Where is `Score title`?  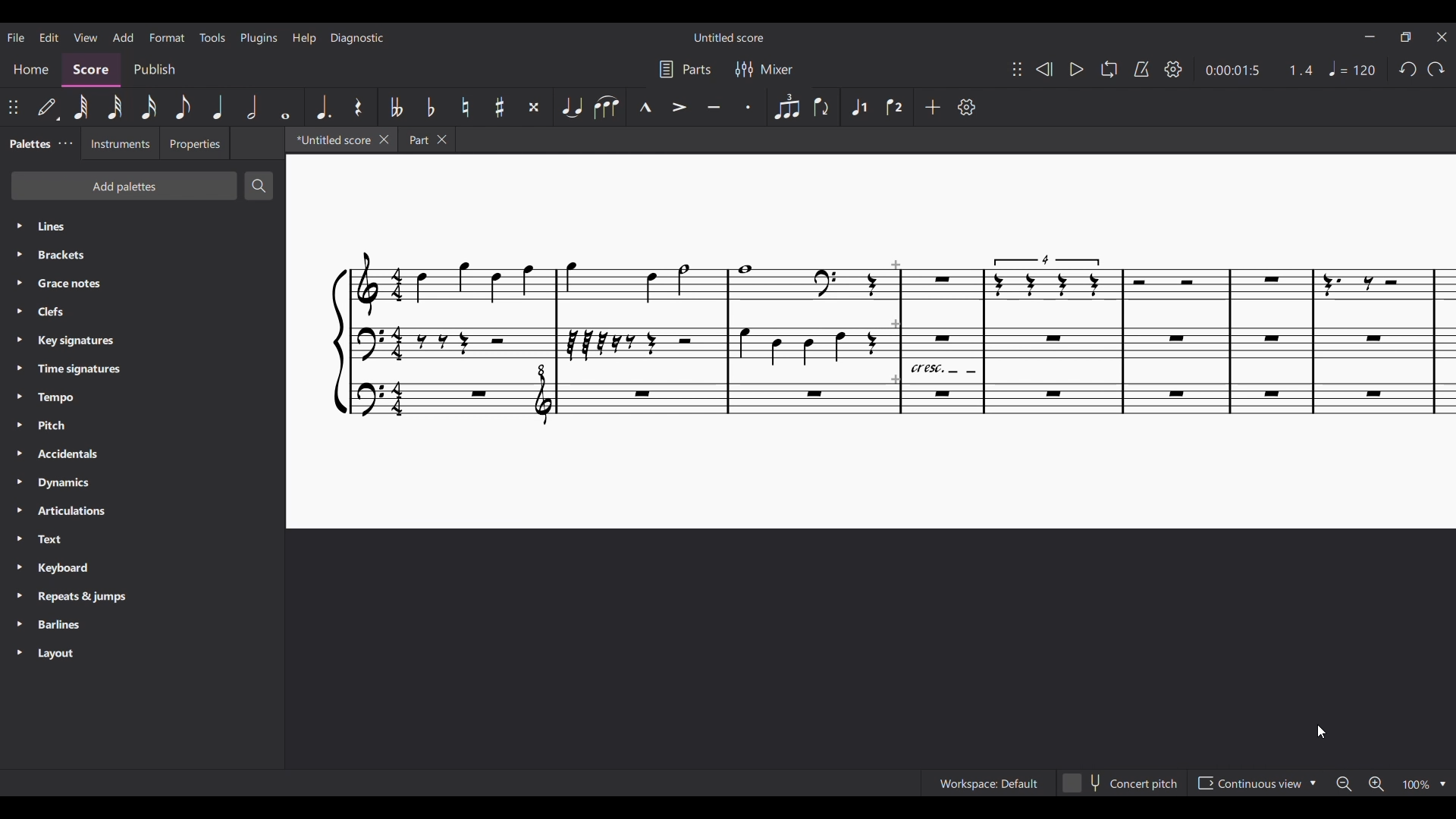 Score title is located at coordinates (730, 37).